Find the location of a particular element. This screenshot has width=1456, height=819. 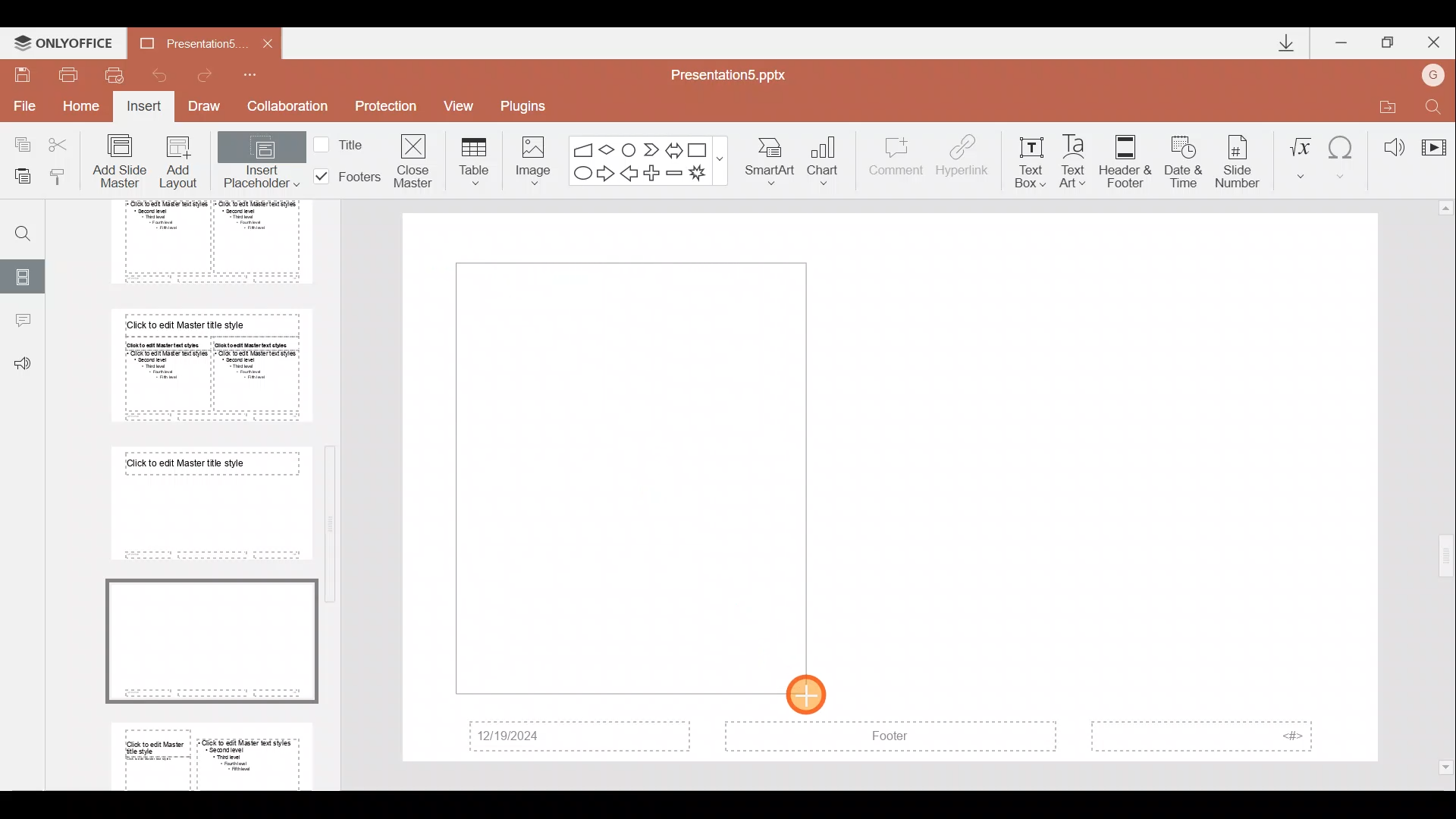

Inserted placeholder on presentation slide is located at coordinates (624, 477).